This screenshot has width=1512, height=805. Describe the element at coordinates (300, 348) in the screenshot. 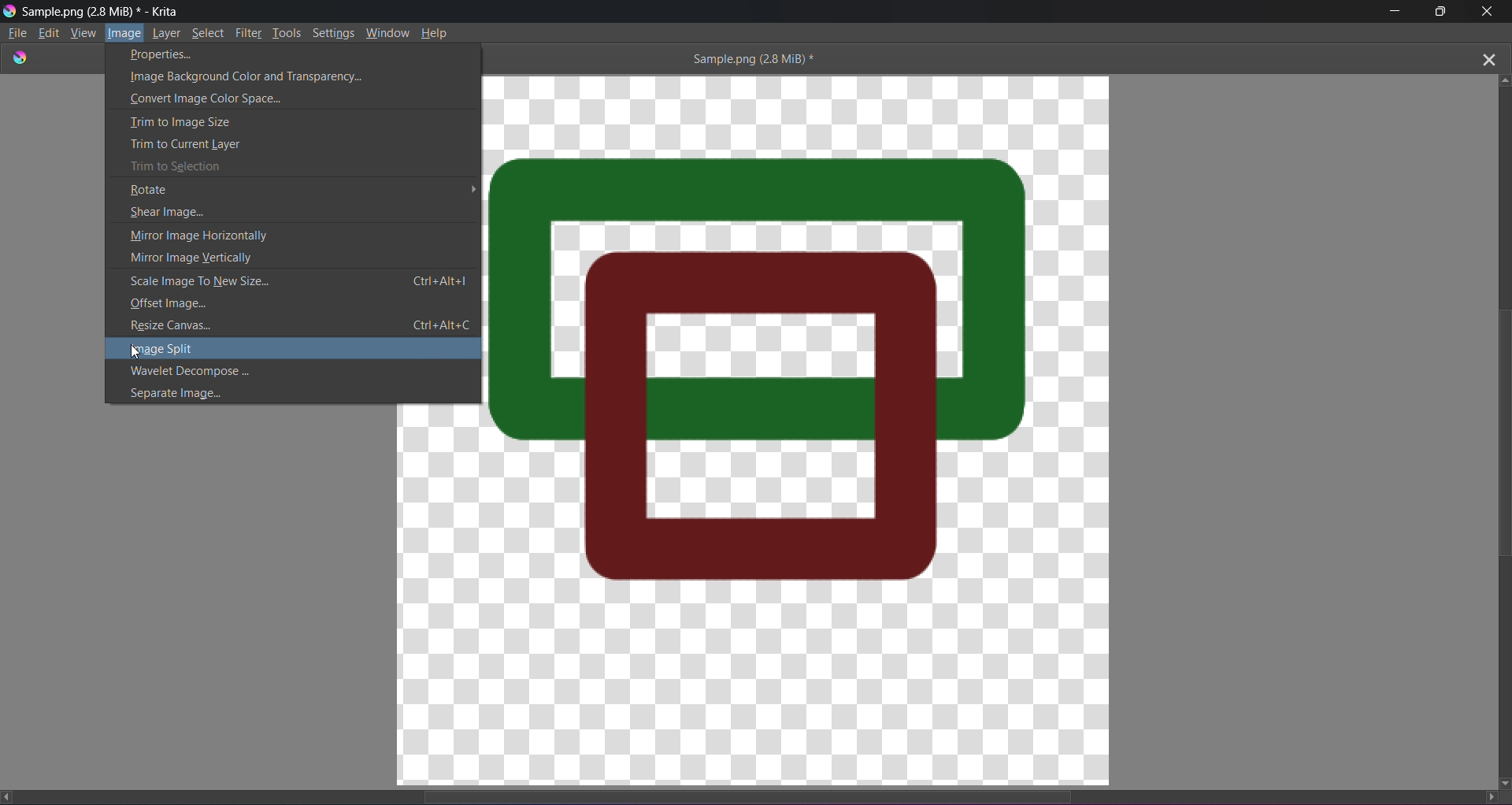

I see `Image Split` at that location.